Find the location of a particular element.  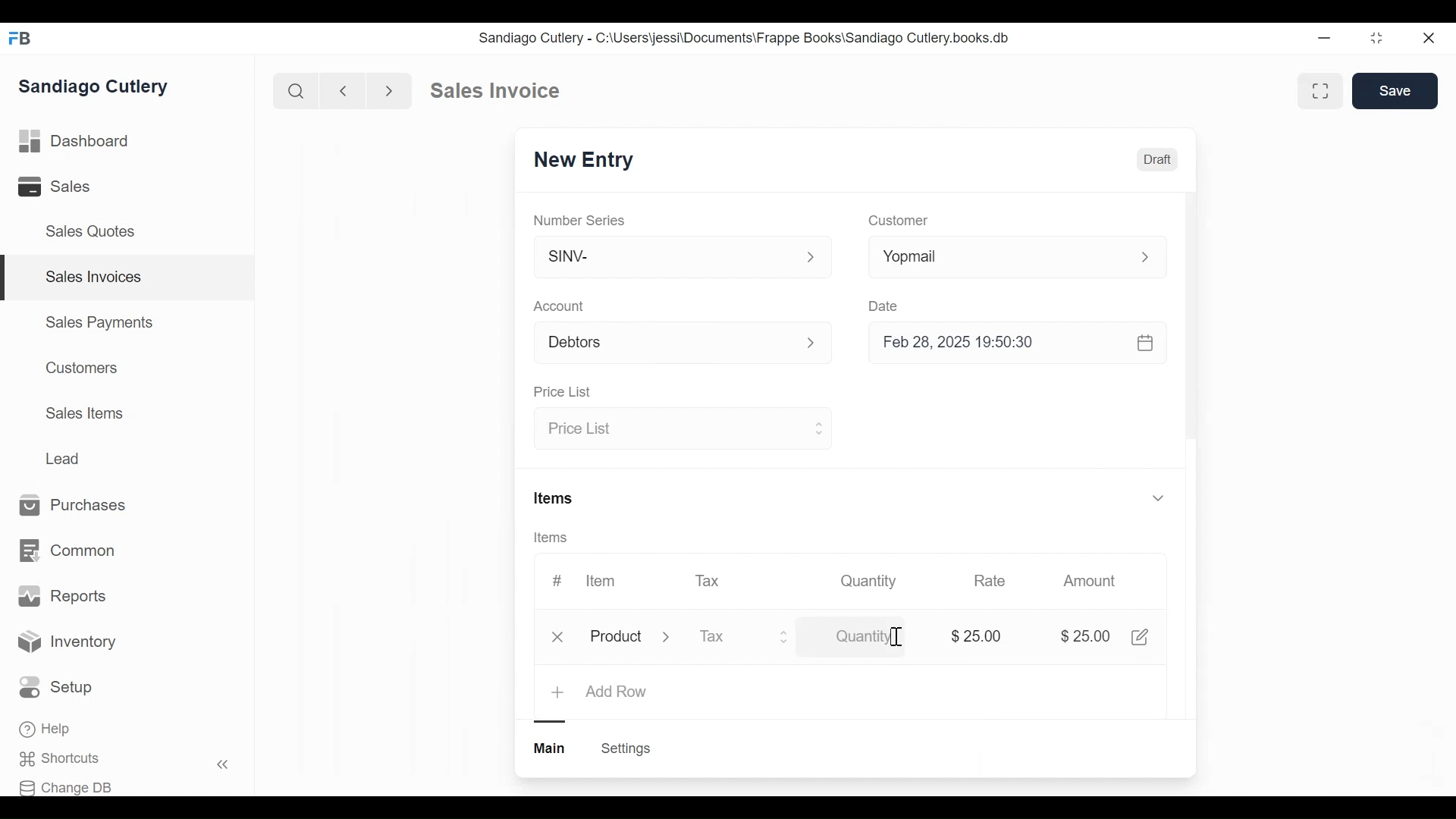

$25.00 is located at coordinates (980, 634).